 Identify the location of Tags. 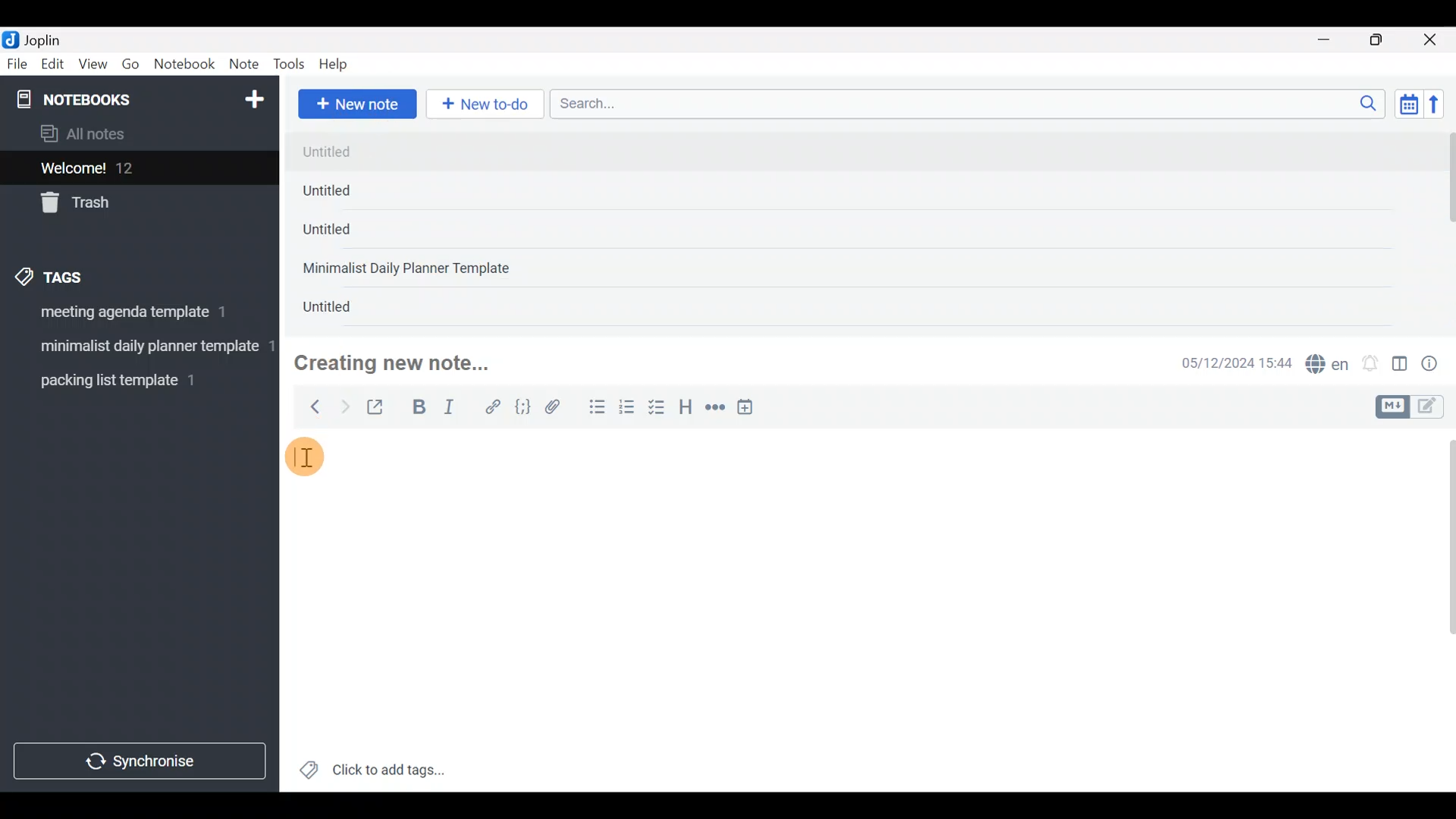
(85, 275).